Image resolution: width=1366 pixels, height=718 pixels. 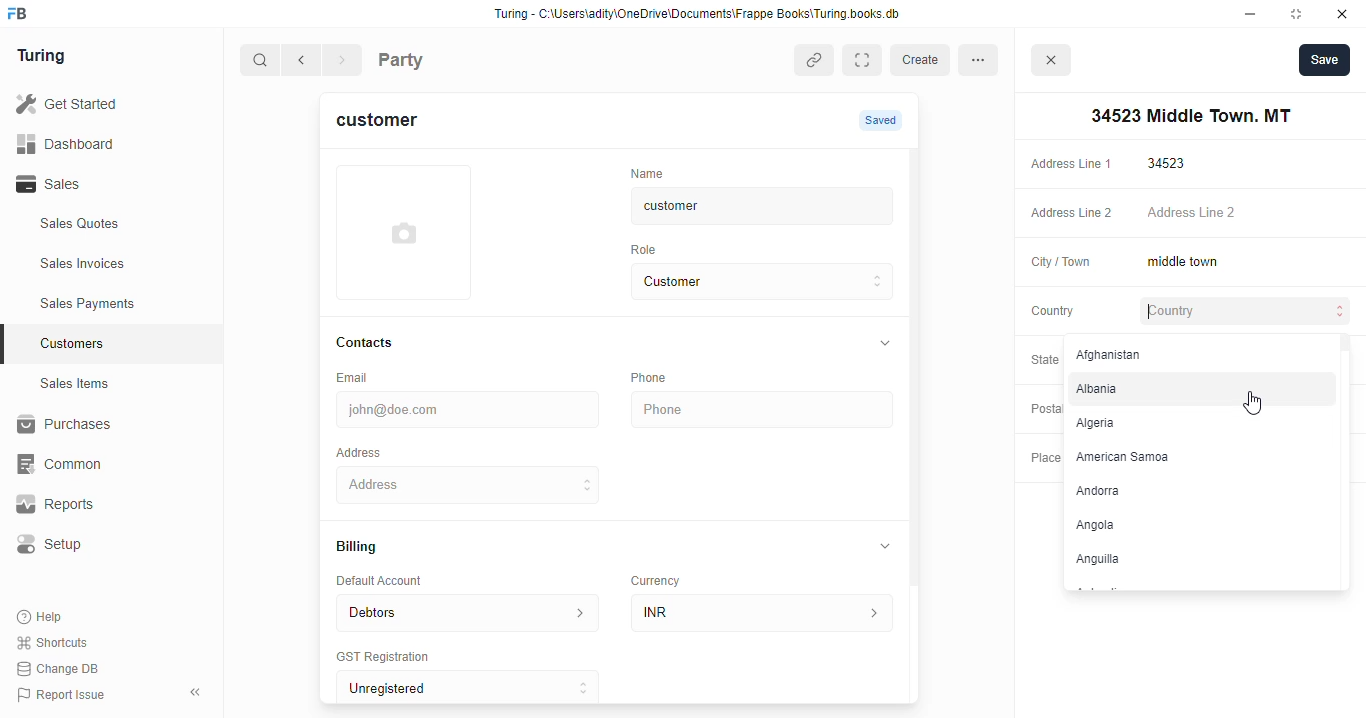 I want to click on Dashboard, so click(x=95, y=143).